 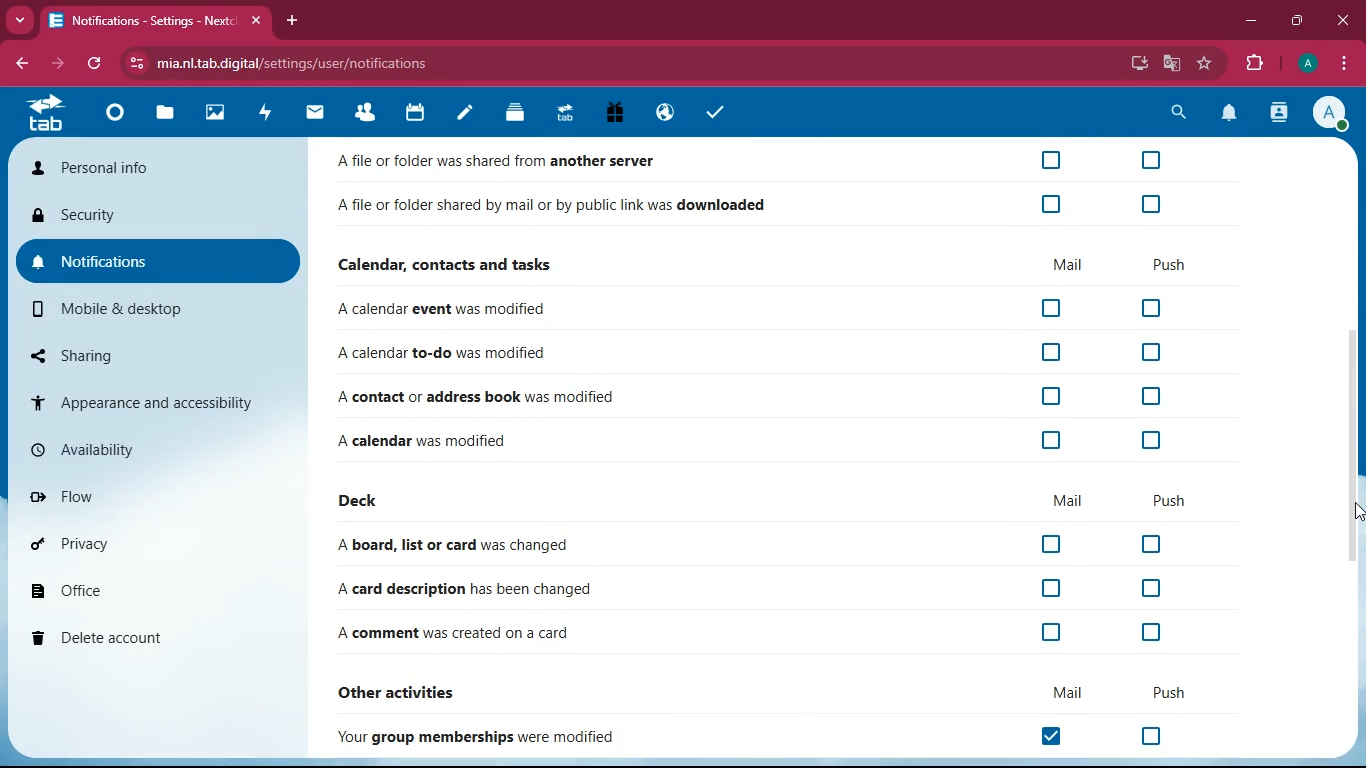 I want to click on mobile & desktop, so click(x=161, y=309).